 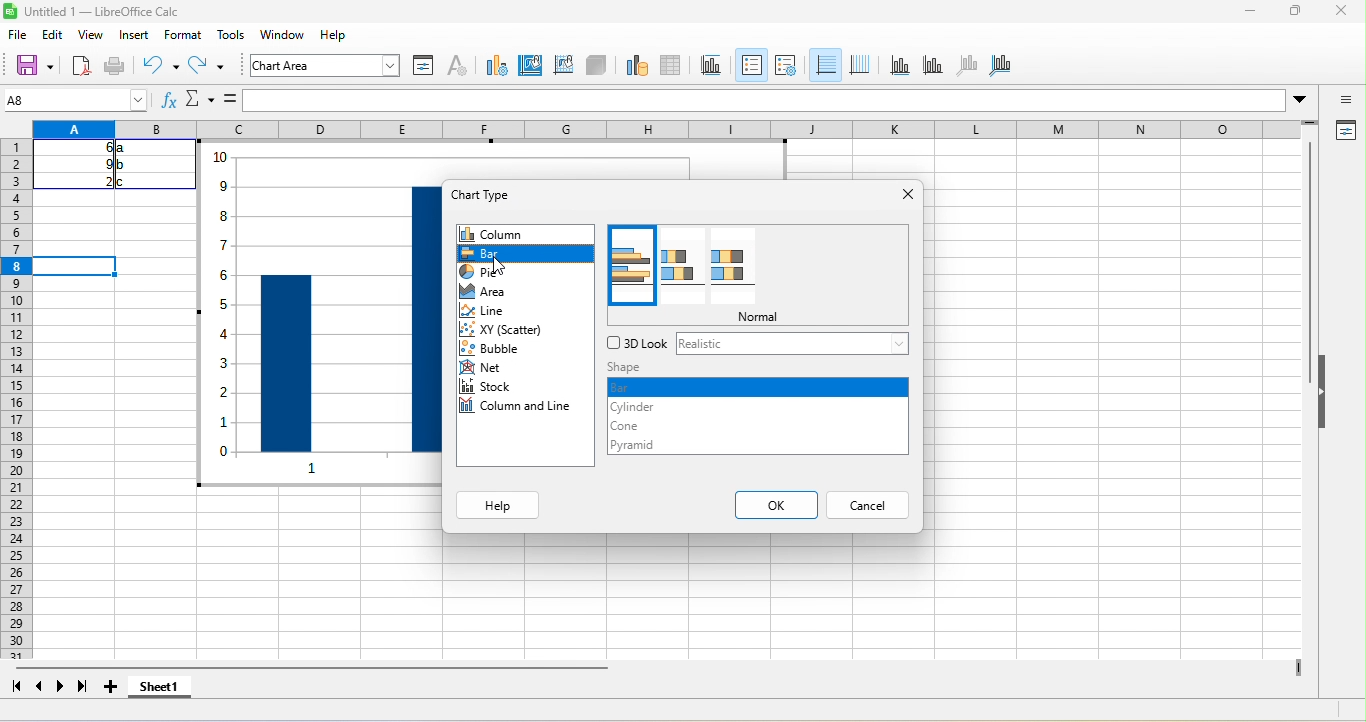 I want to click on data ranges, so click(x=631, y=66).